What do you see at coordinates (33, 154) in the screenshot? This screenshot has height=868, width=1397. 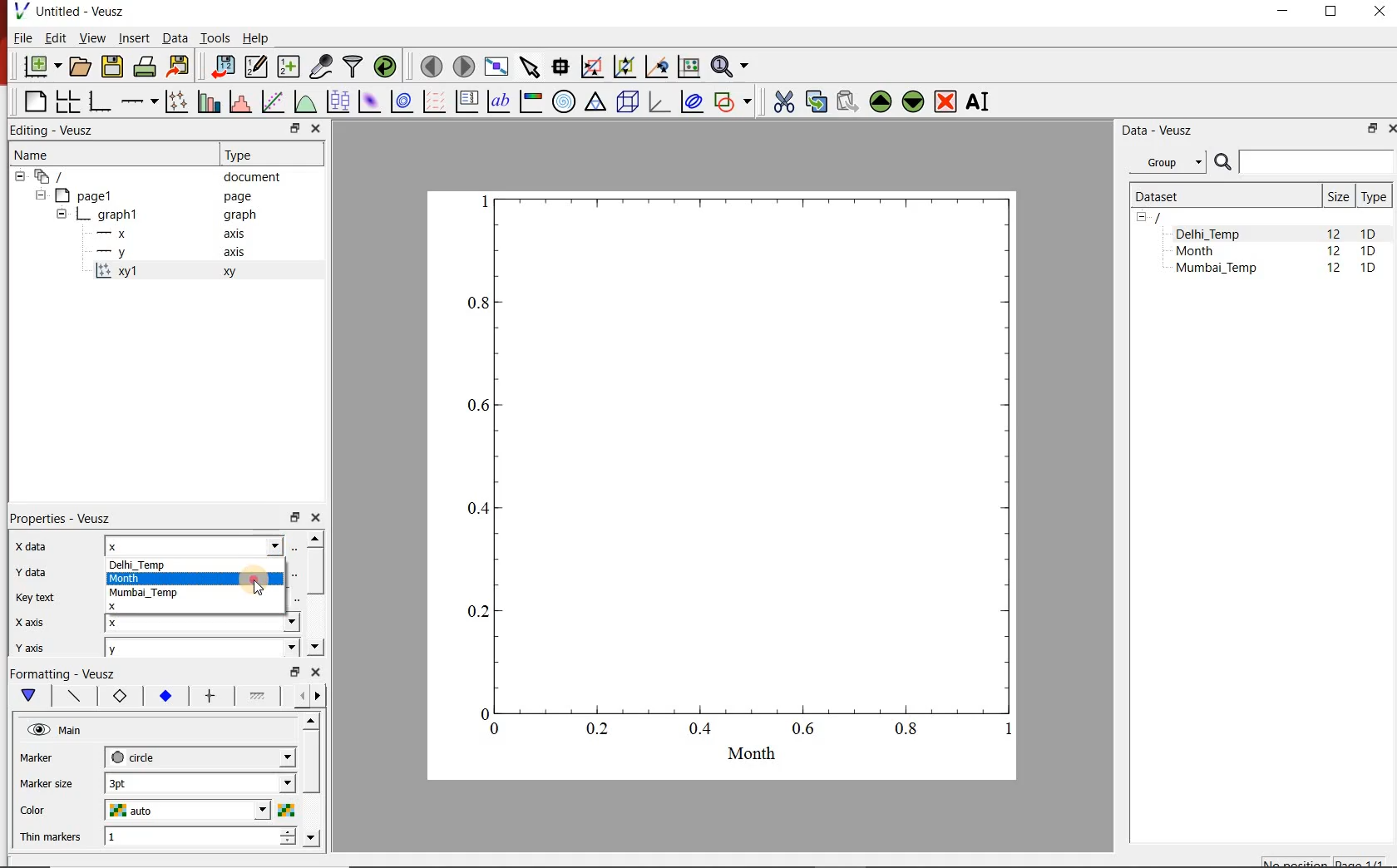 I see `Name` at bounding box center [33, 154].